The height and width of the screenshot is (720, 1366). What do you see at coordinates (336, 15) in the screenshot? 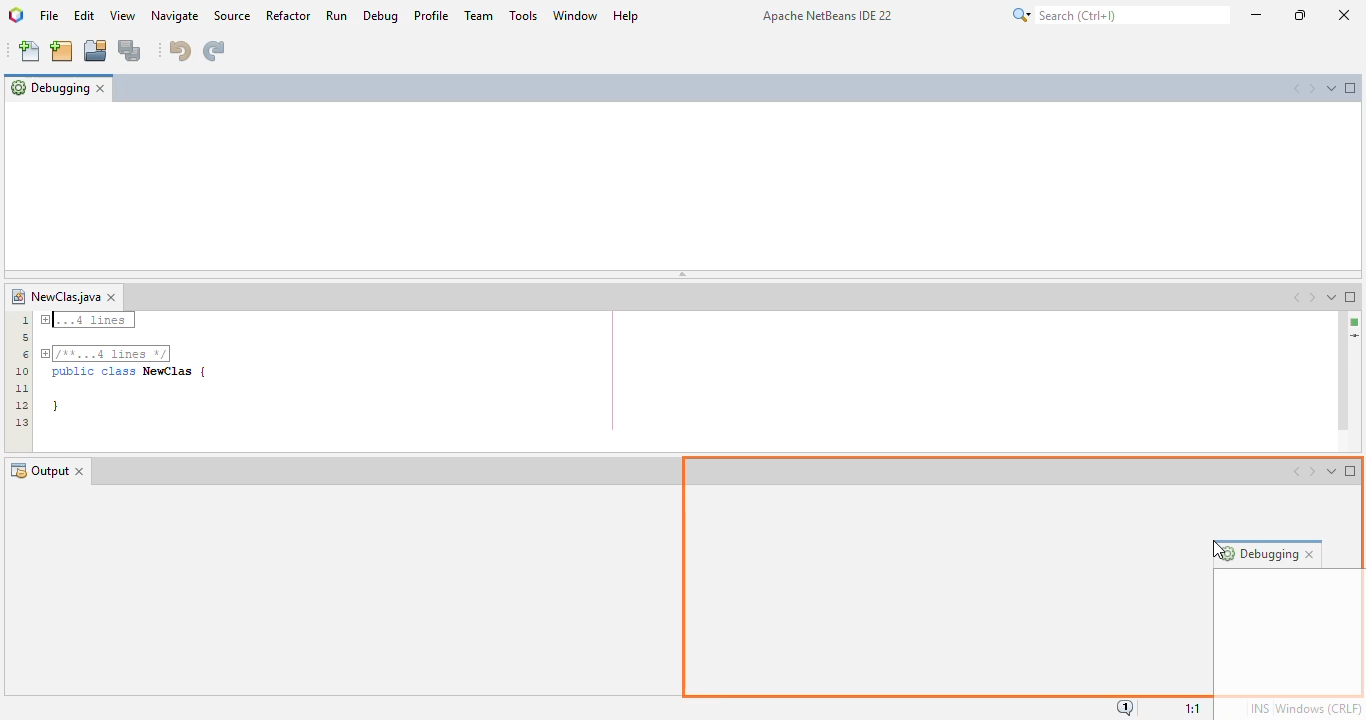
I see `run` at bounding box center [336, 15].